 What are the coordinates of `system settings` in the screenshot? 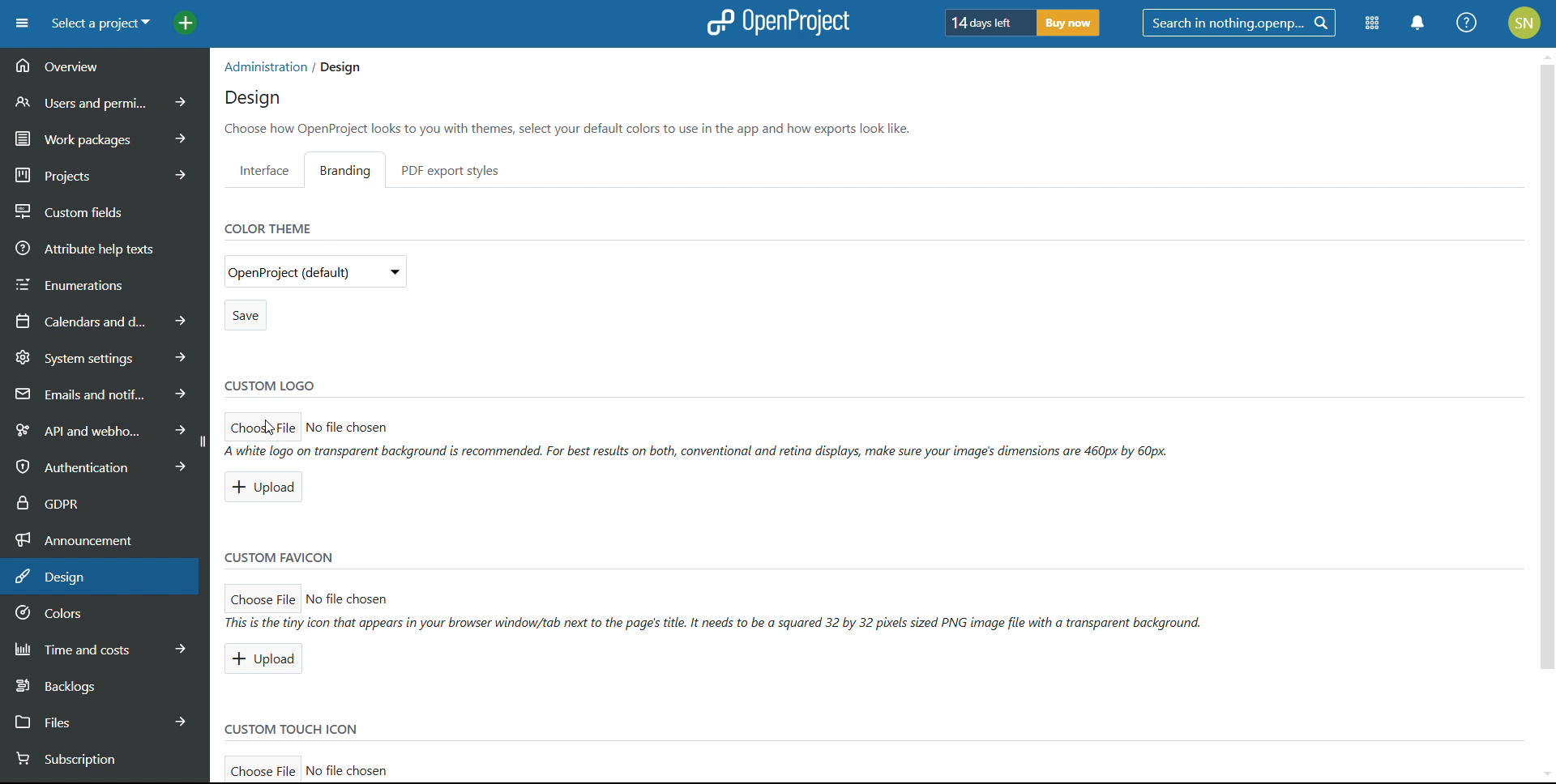 It's located at (104, 356).